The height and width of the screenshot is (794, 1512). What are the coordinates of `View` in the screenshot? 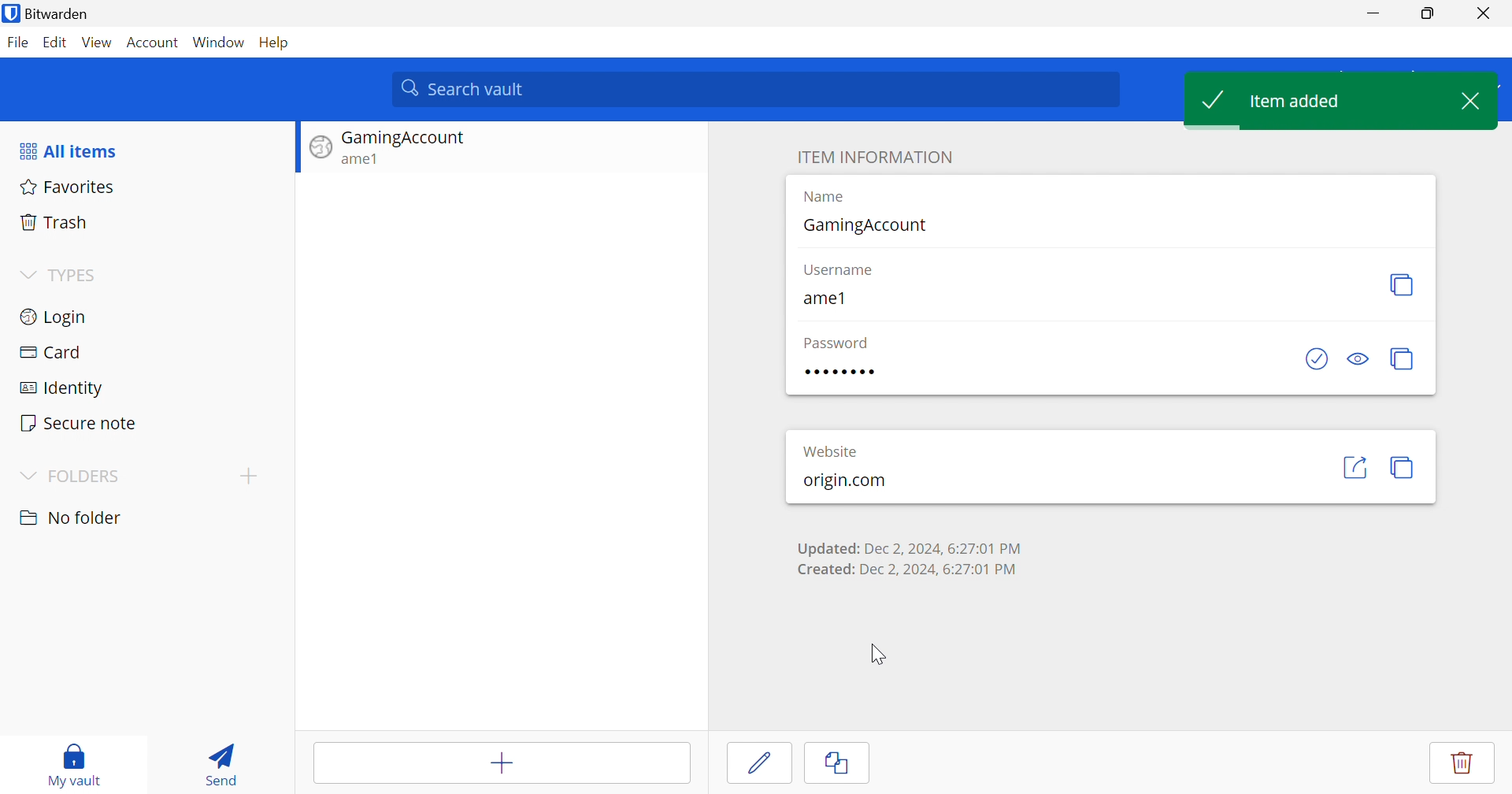 It's located at (100, 43).